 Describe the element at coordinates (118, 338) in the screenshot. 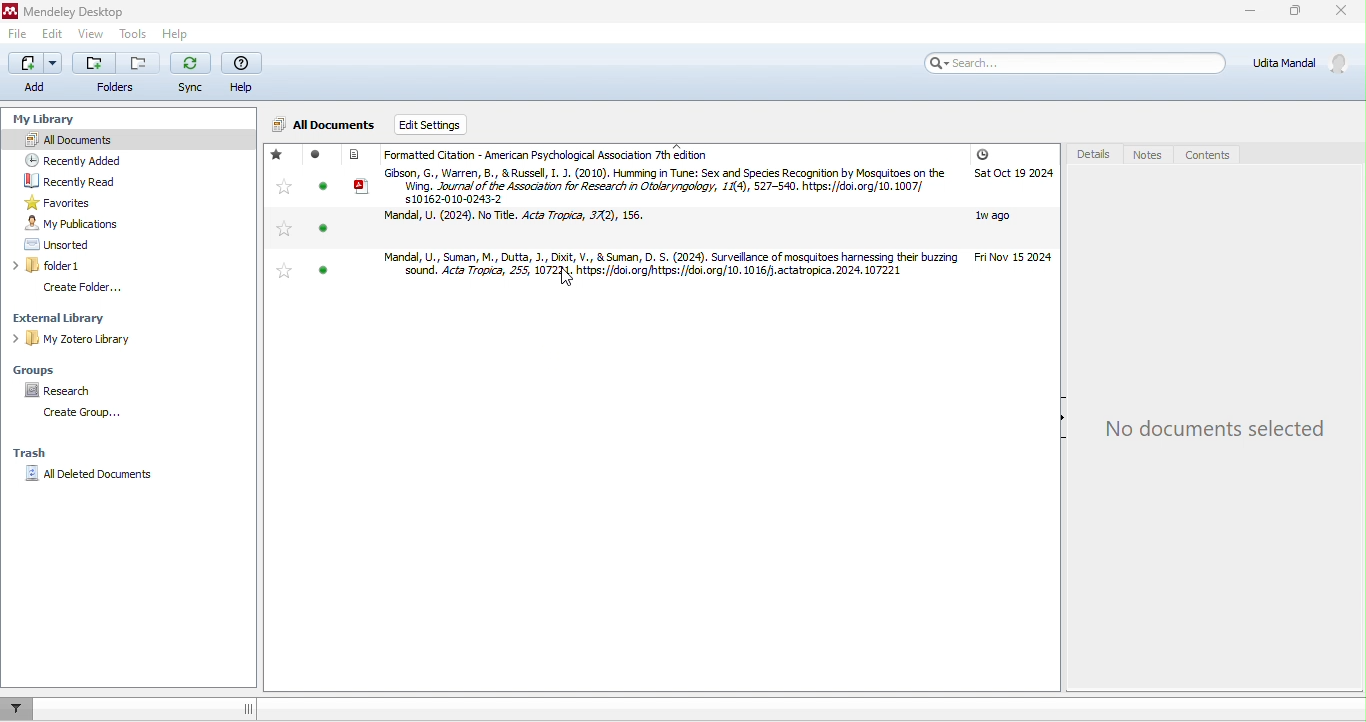

I see `my zotero library` at that location.